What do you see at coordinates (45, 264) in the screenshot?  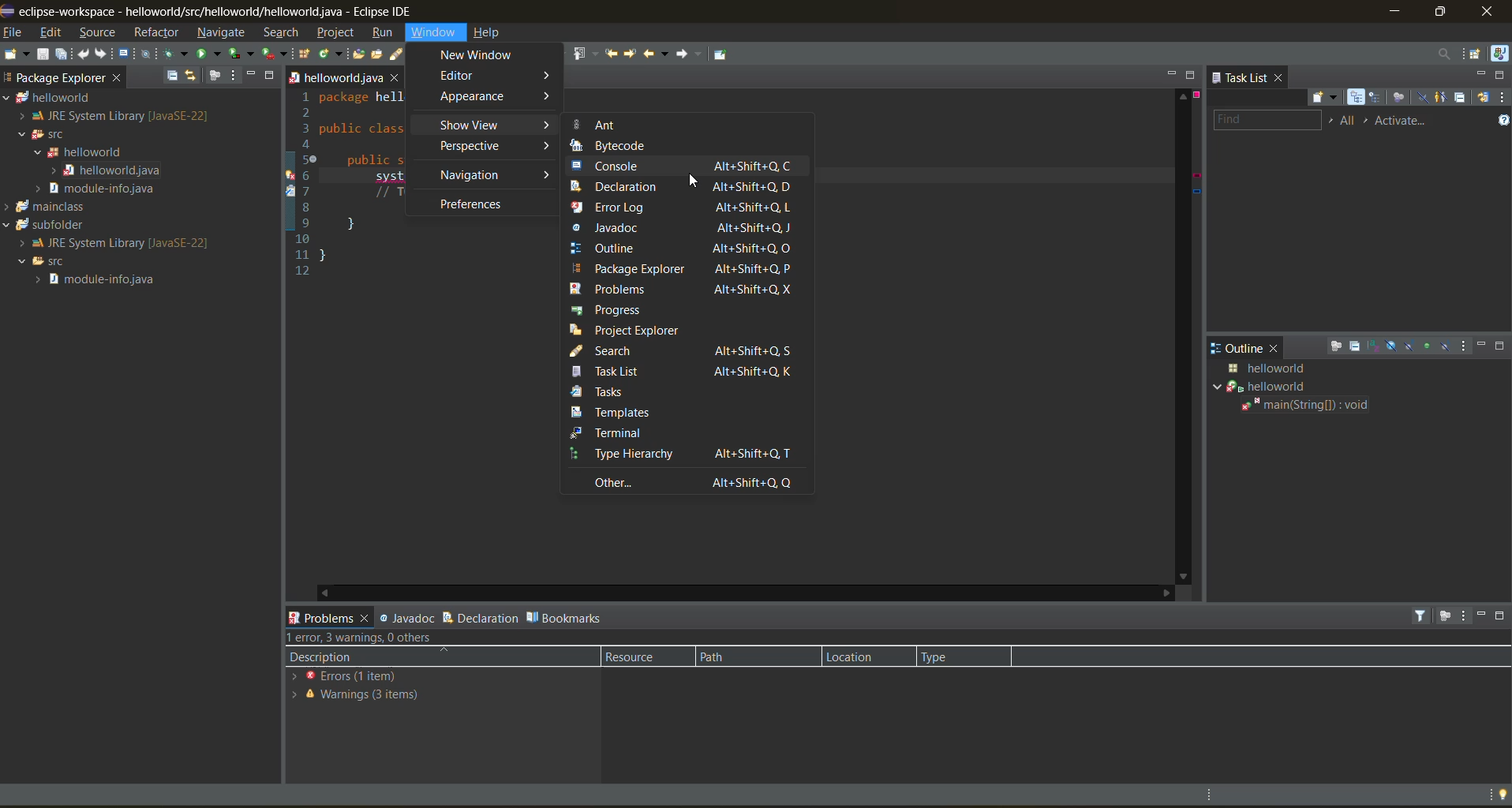 I see `SFC` at bounding box center [45, 264].